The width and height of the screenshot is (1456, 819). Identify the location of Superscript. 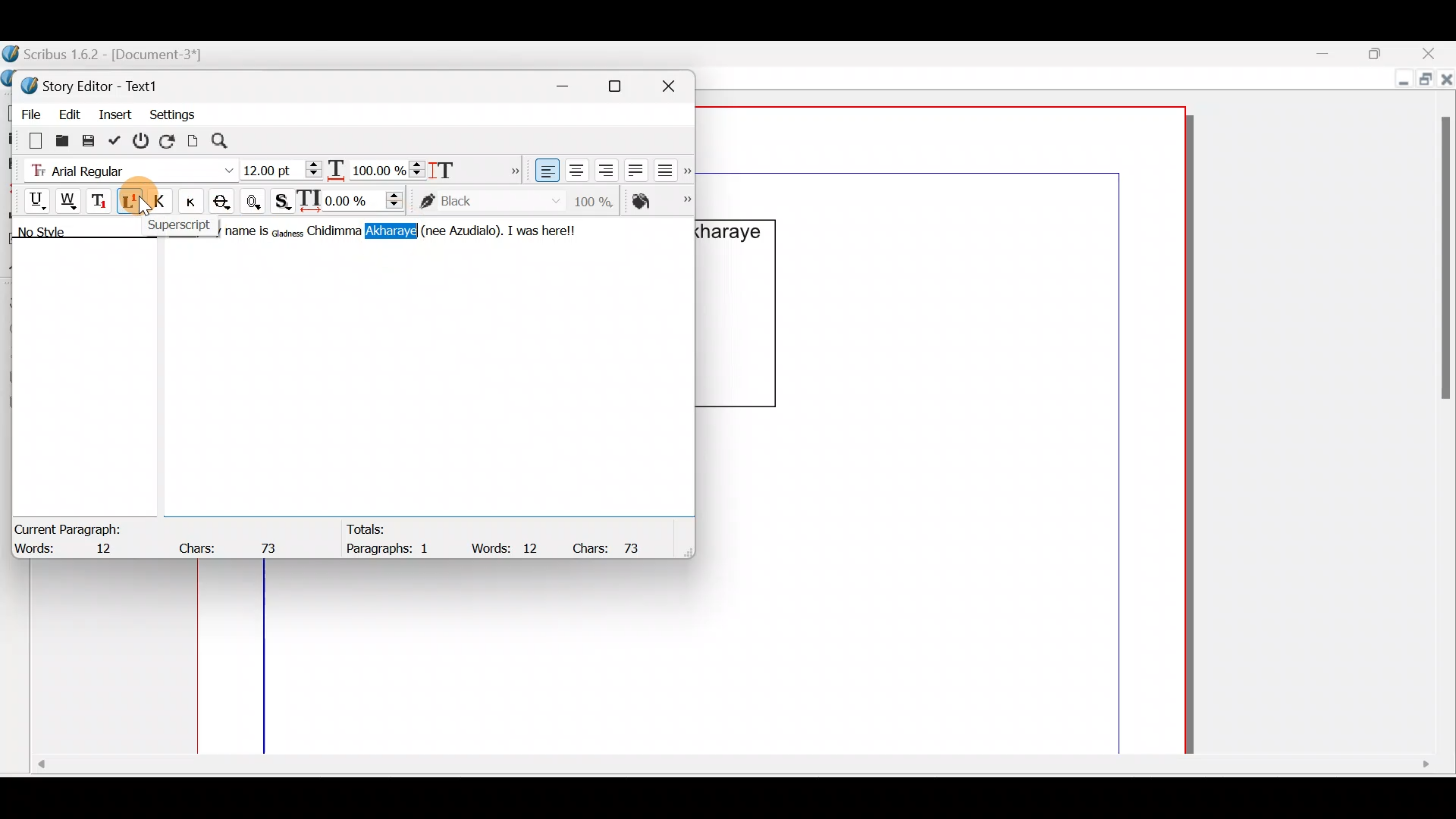
(178, 224).